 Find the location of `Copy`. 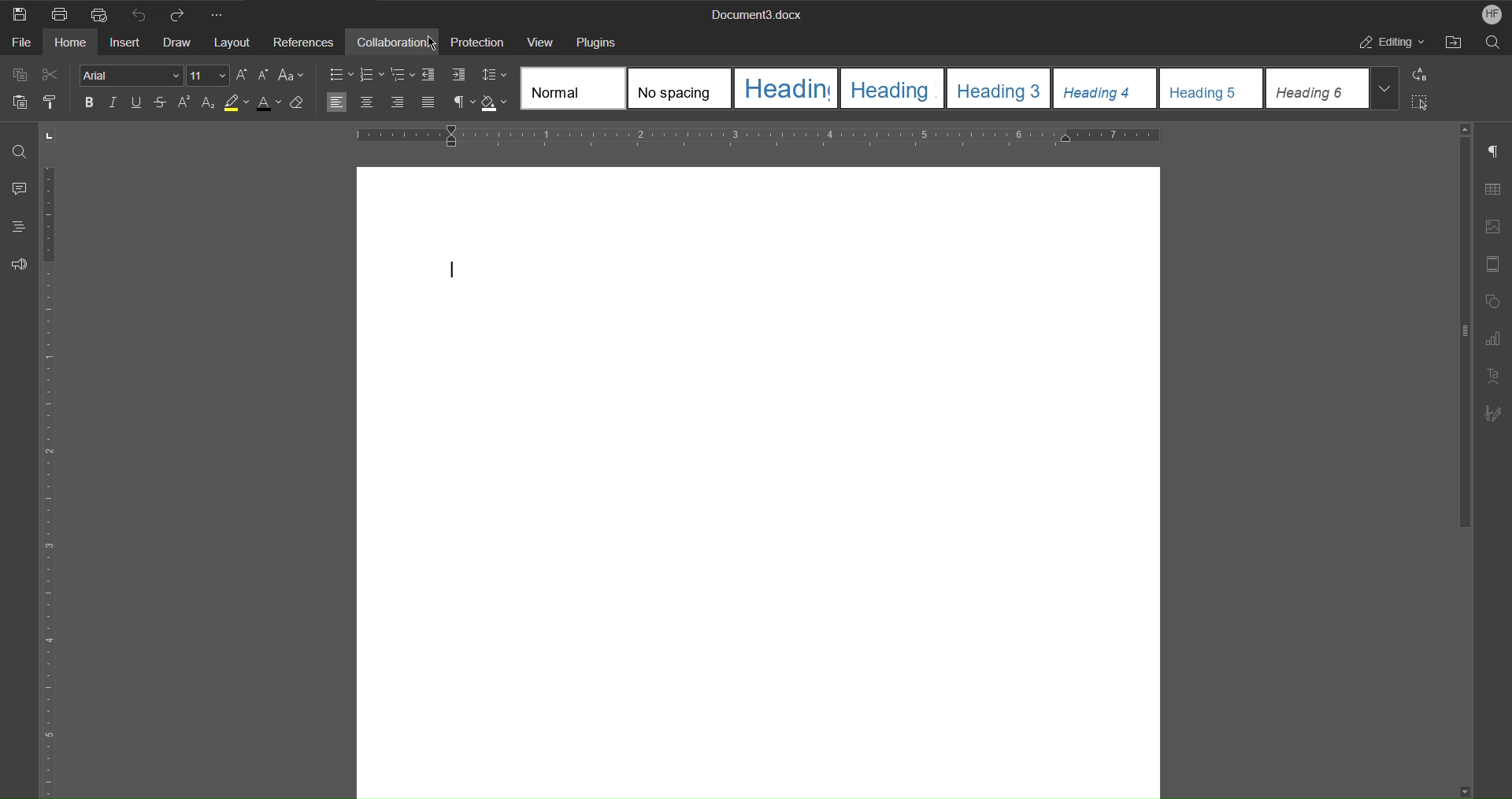

Copy is located at coordinates (21, 75).